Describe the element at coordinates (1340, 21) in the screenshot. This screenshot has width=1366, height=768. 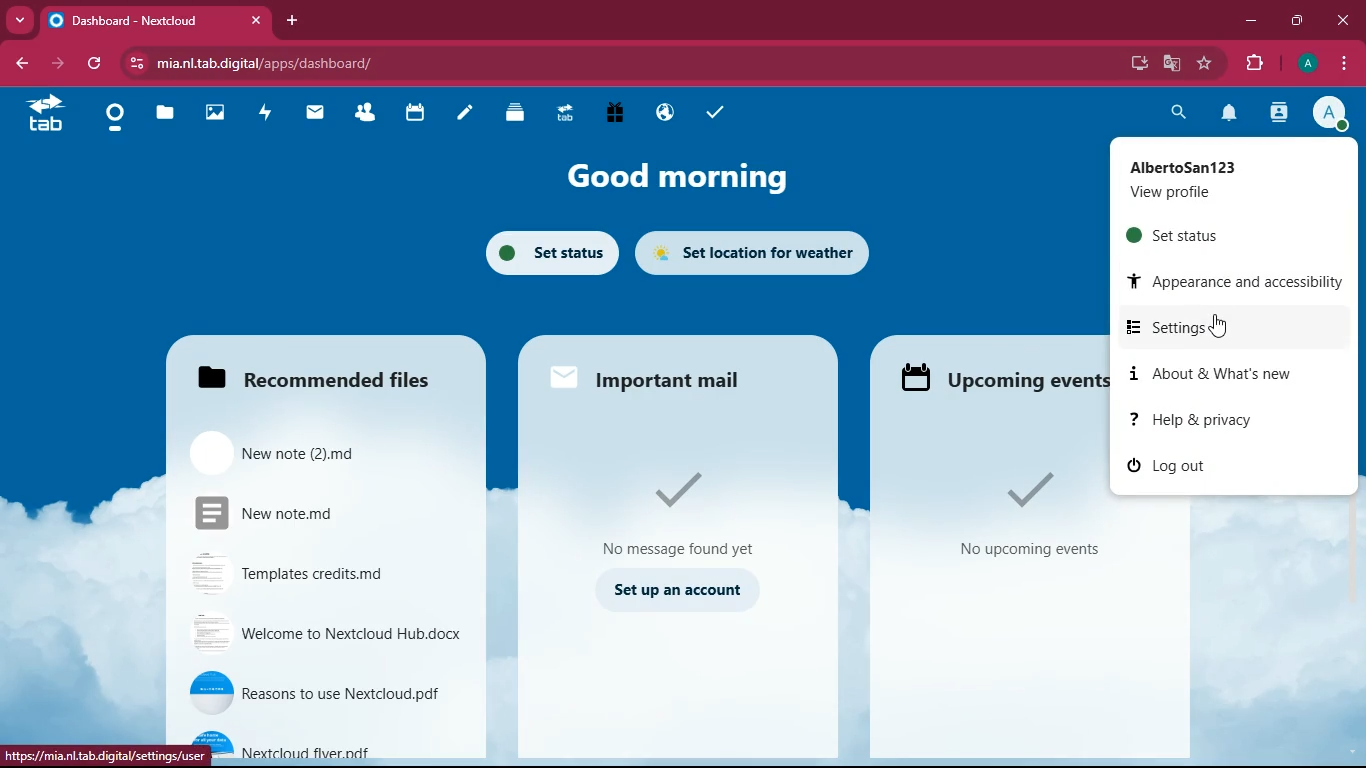
I see `close` at that location.